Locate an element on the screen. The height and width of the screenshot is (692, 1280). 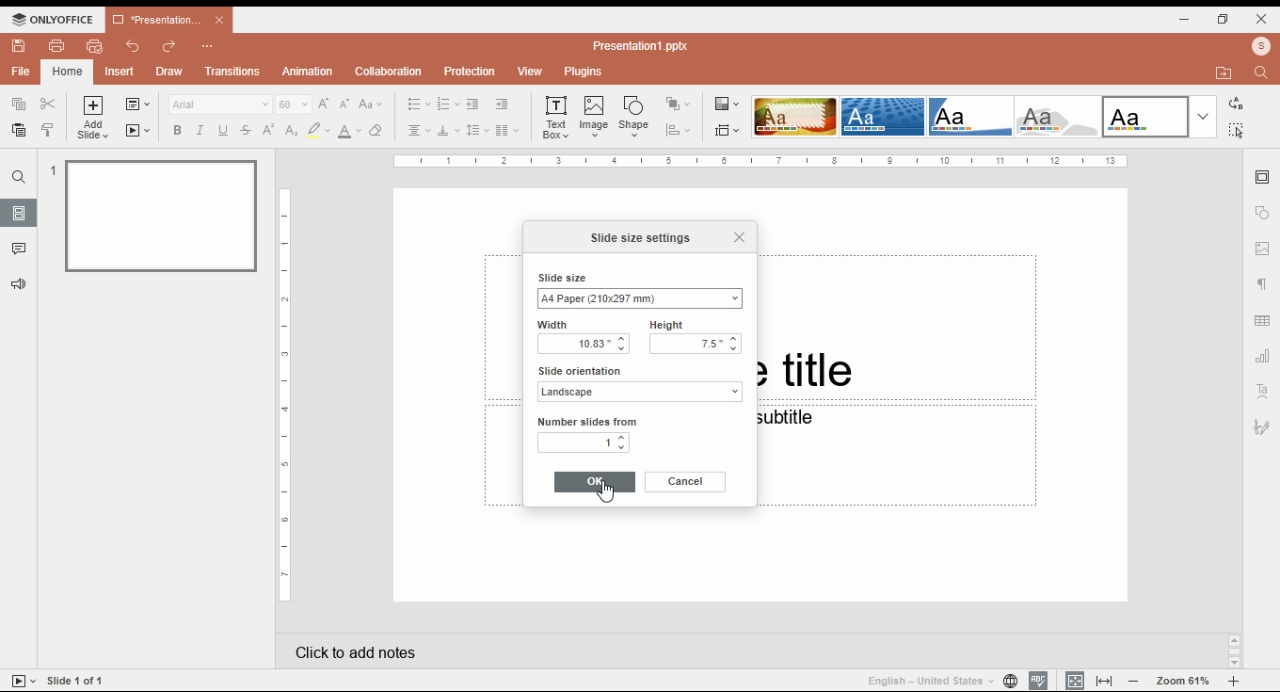
13.33" is located at coordinates (582, 344).